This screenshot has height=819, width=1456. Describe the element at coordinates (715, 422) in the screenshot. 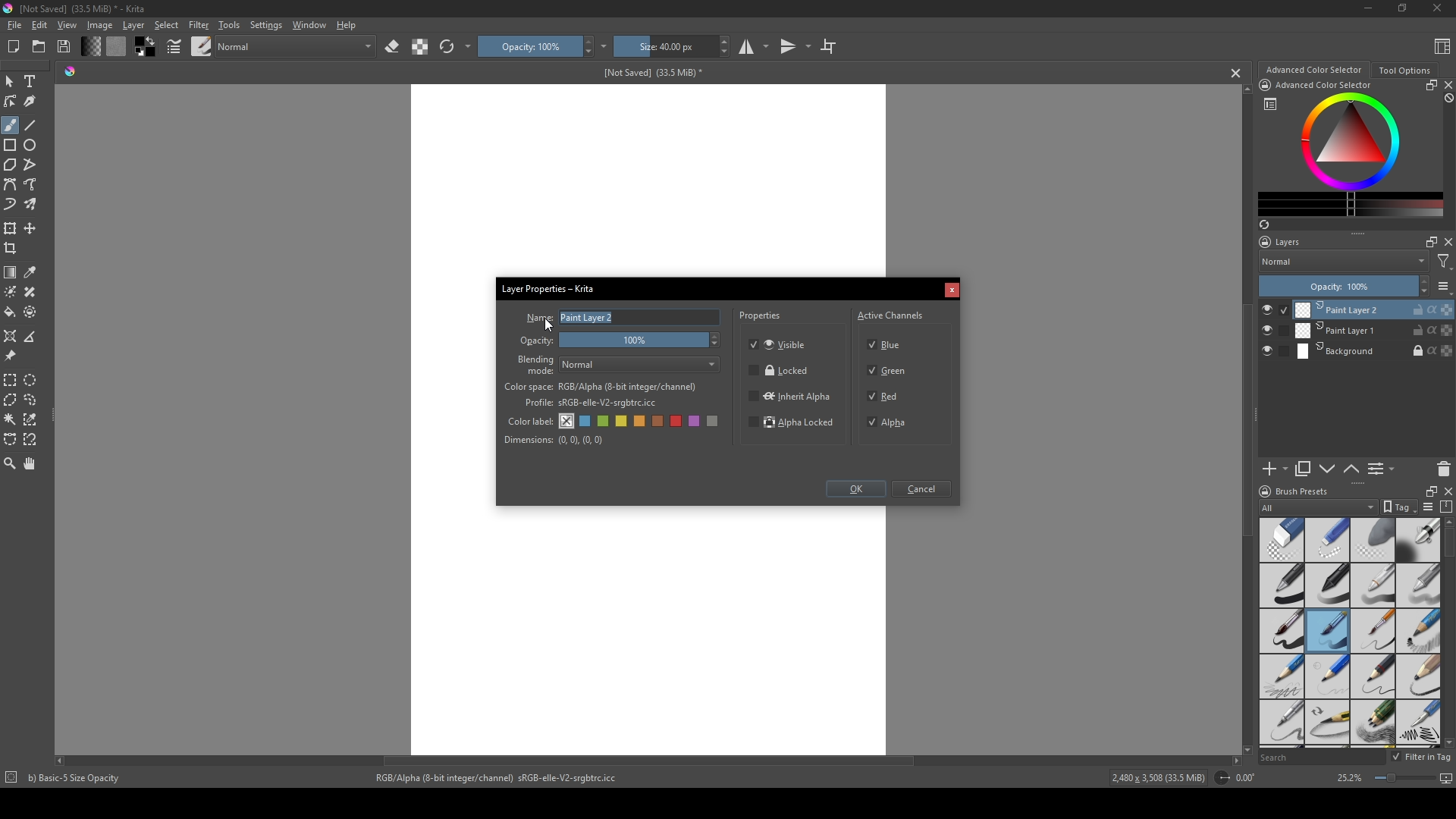

I see `grey` at that location.